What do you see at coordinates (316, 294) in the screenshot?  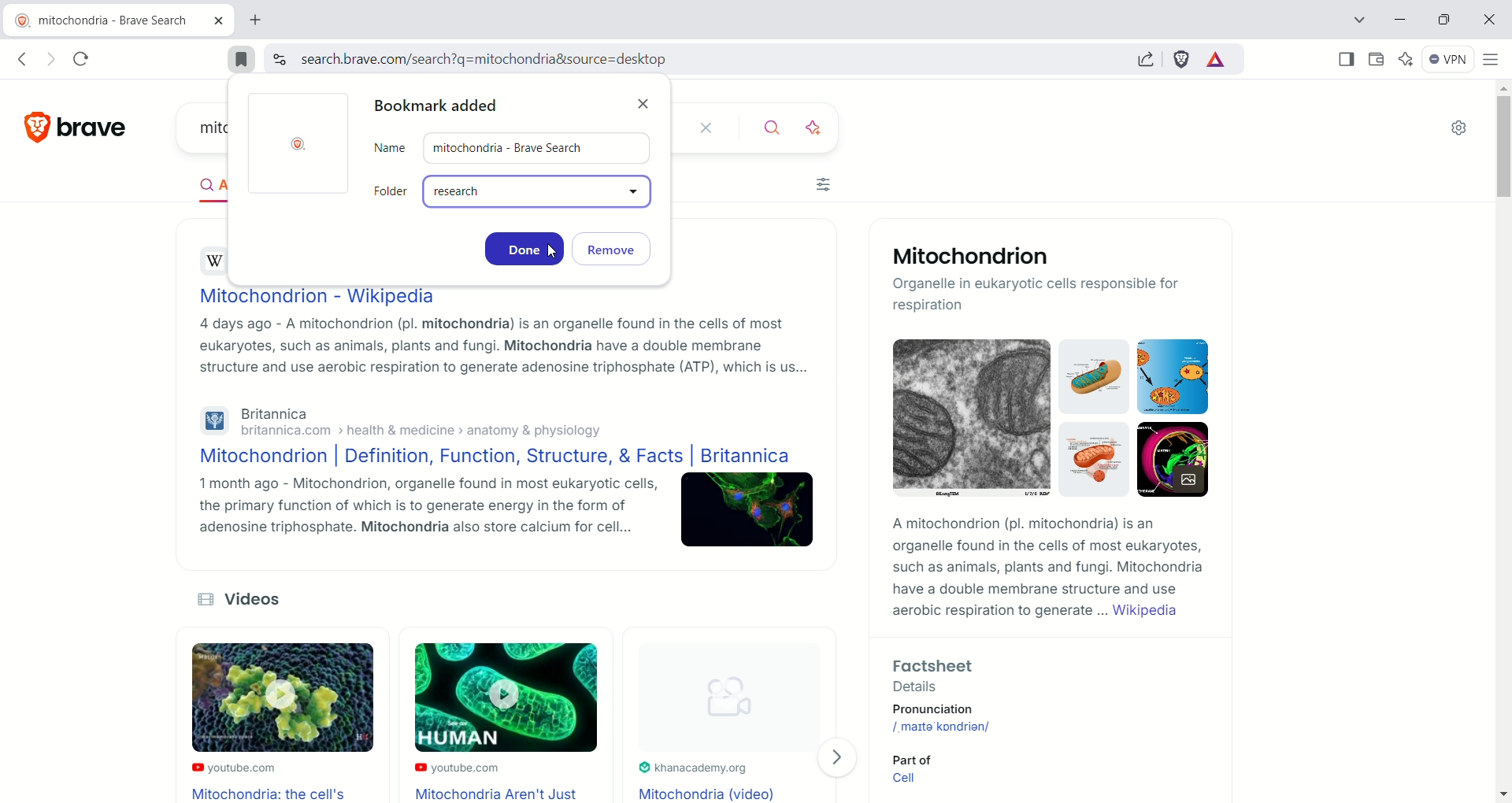 I see `Mitochondrion - Wikipedia` at bounding box center [316, 294].